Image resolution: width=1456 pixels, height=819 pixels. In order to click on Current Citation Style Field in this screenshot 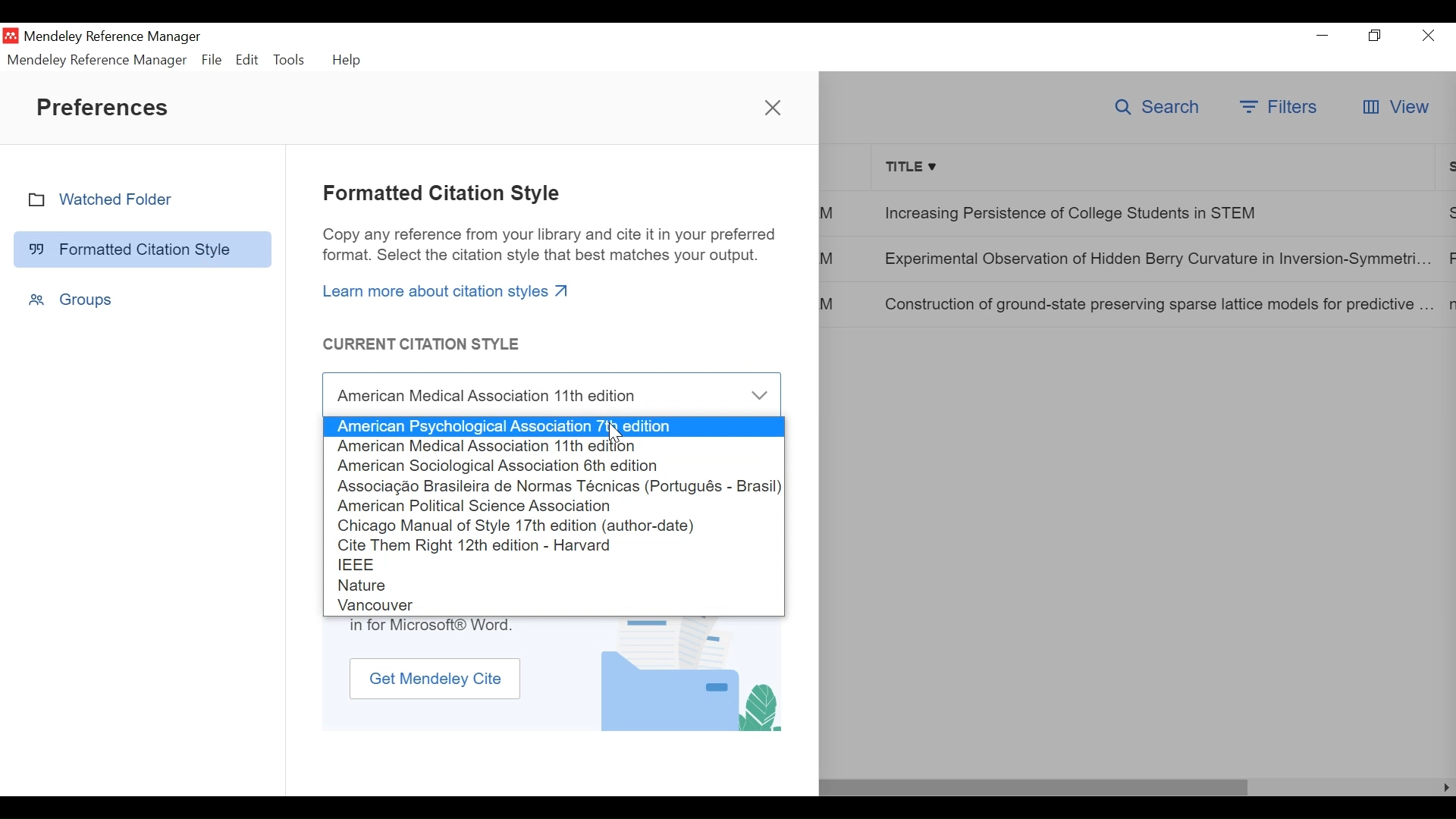, I will do `click(552, 395)`.